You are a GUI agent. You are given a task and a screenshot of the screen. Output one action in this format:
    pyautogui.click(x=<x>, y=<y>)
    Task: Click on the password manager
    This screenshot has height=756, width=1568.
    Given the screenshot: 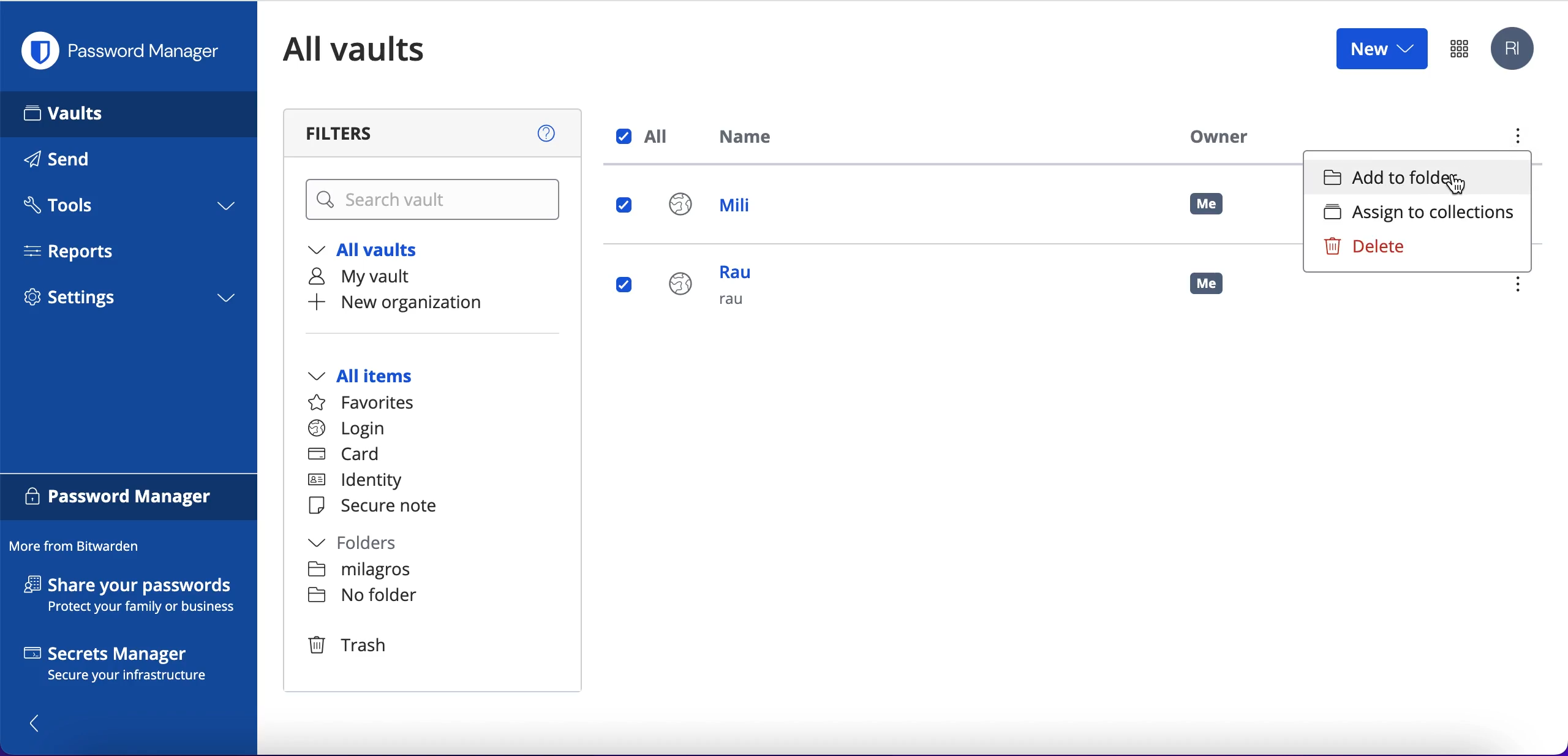 What is the action you would take?
    pyautogui.click(x=126, y=51)
    